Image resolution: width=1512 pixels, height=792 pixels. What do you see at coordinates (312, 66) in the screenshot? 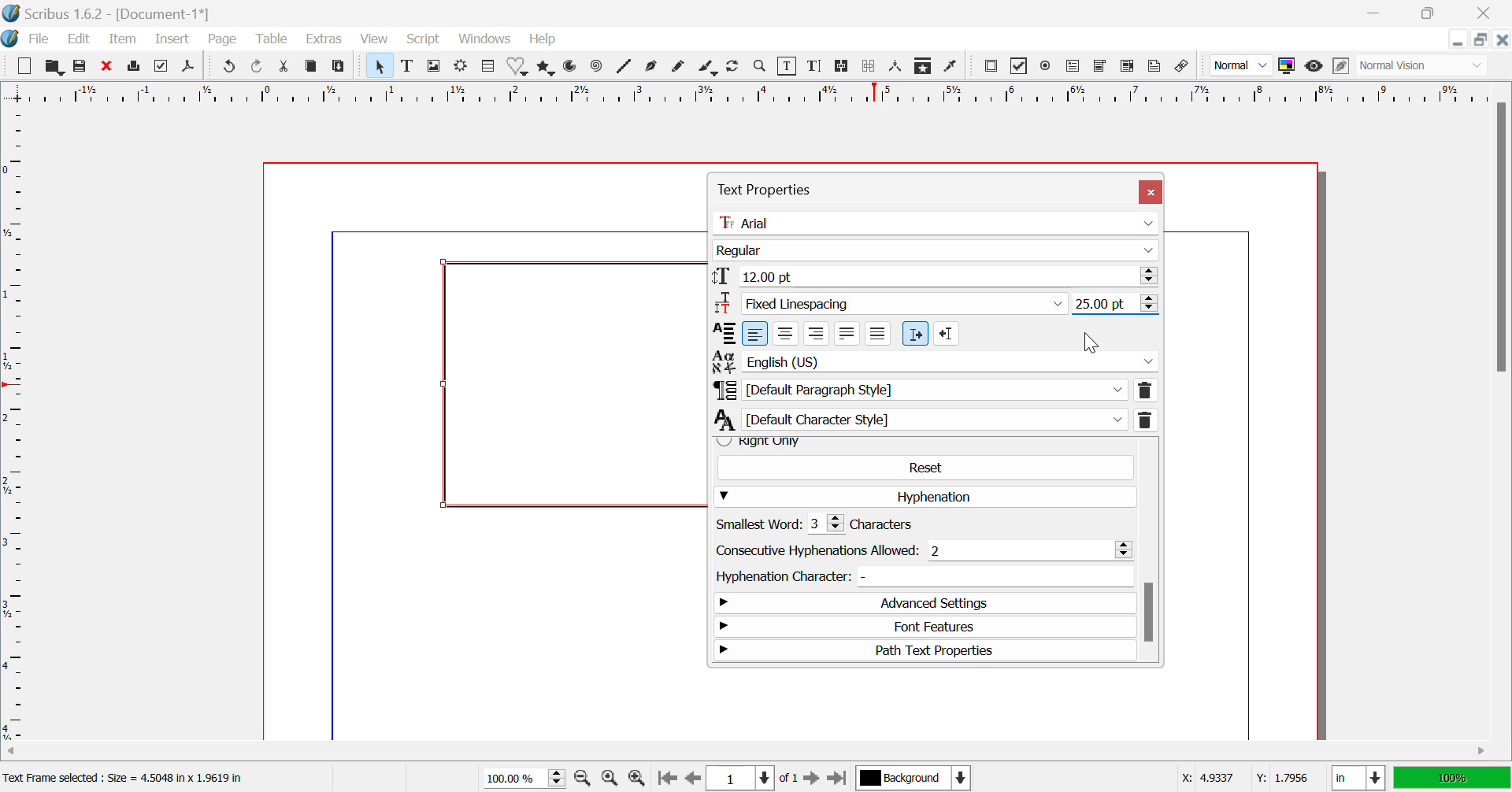
I see `Copy` at bounding box center [312, 66].